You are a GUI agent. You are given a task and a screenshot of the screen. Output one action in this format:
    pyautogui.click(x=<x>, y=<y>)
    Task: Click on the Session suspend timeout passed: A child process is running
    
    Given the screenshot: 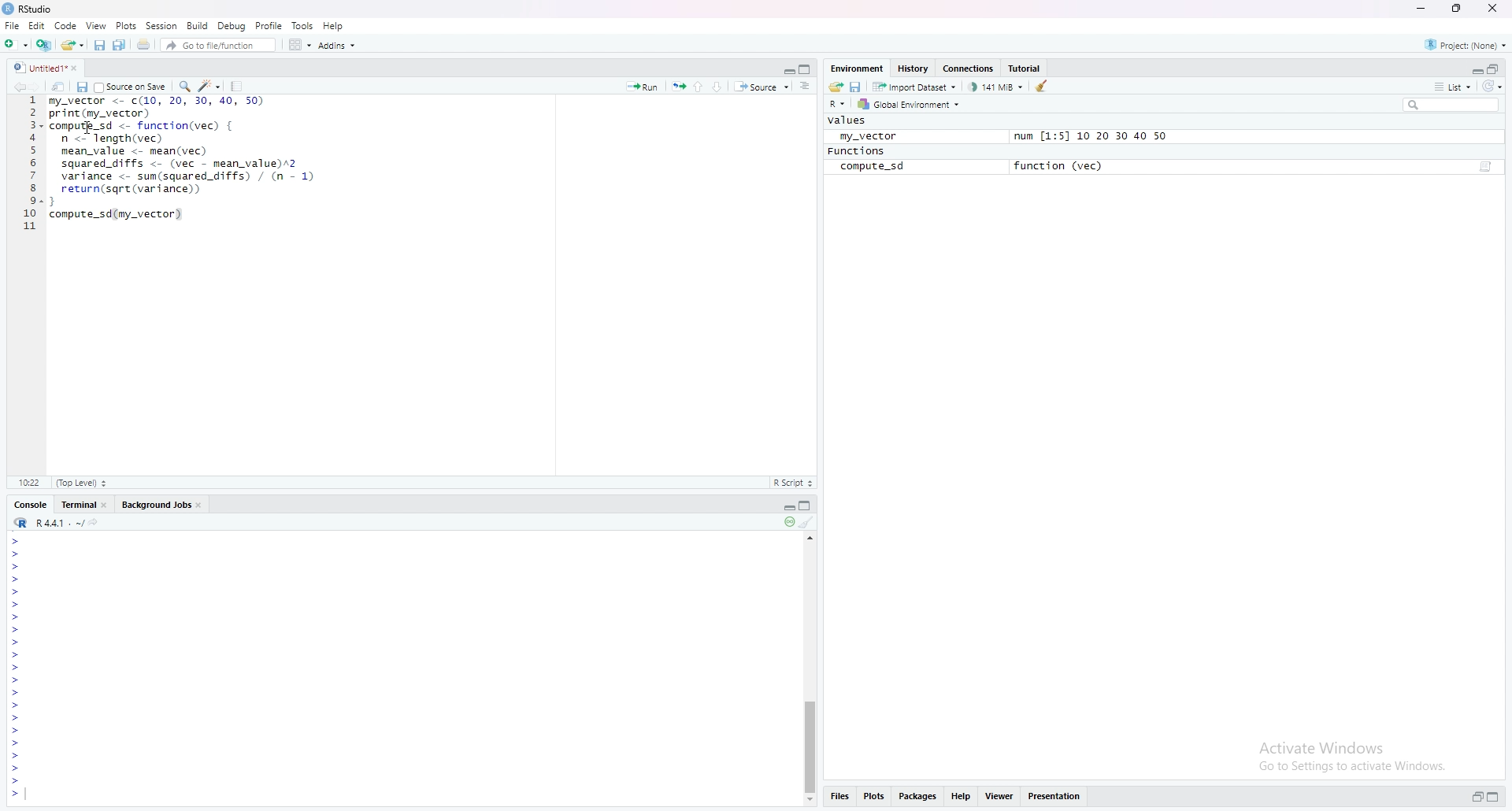 What is the action you would take?
    pyautogui.click(x=787, y=523)
    